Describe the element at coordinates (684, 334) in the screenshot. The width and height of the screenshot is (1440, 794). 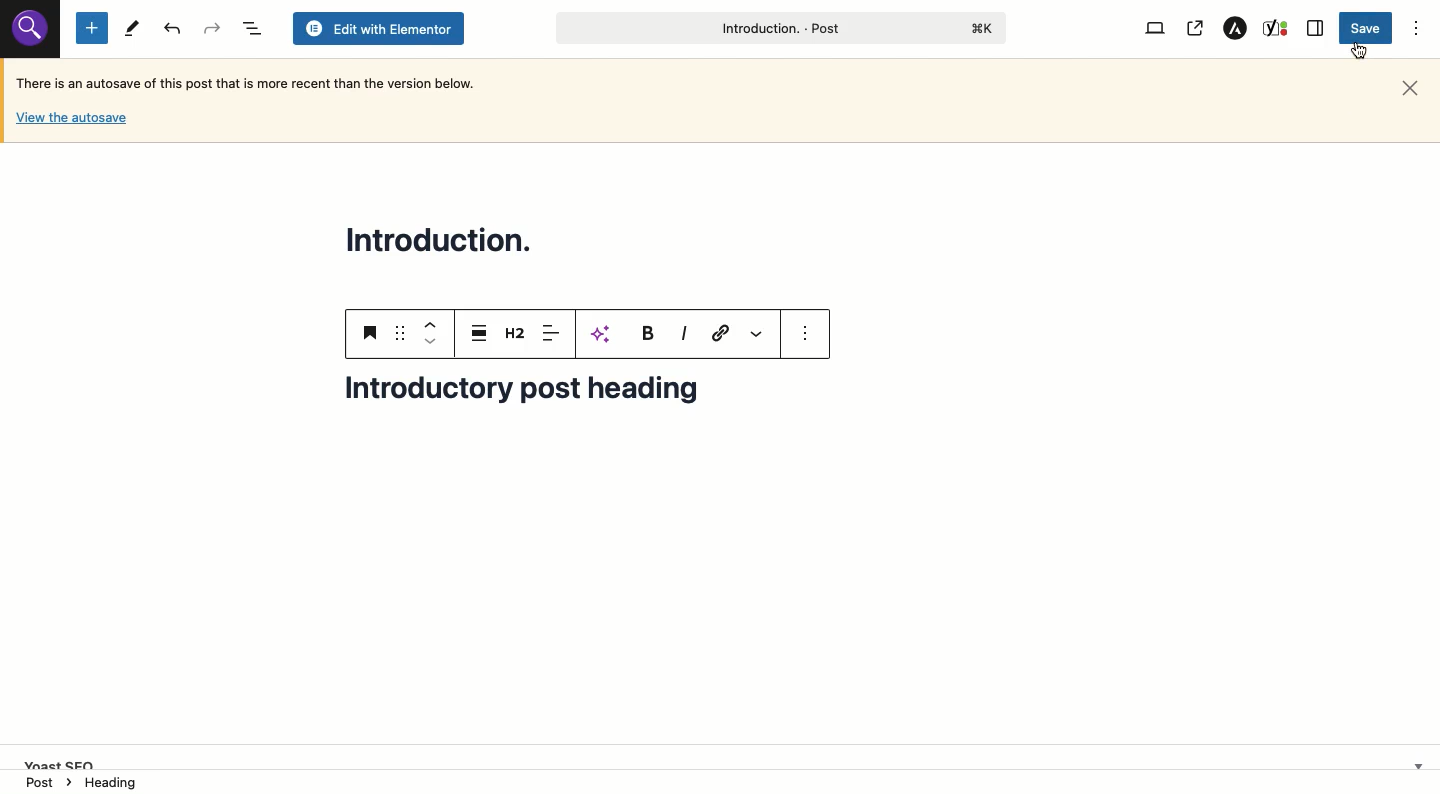
I see `Italic` at that location.